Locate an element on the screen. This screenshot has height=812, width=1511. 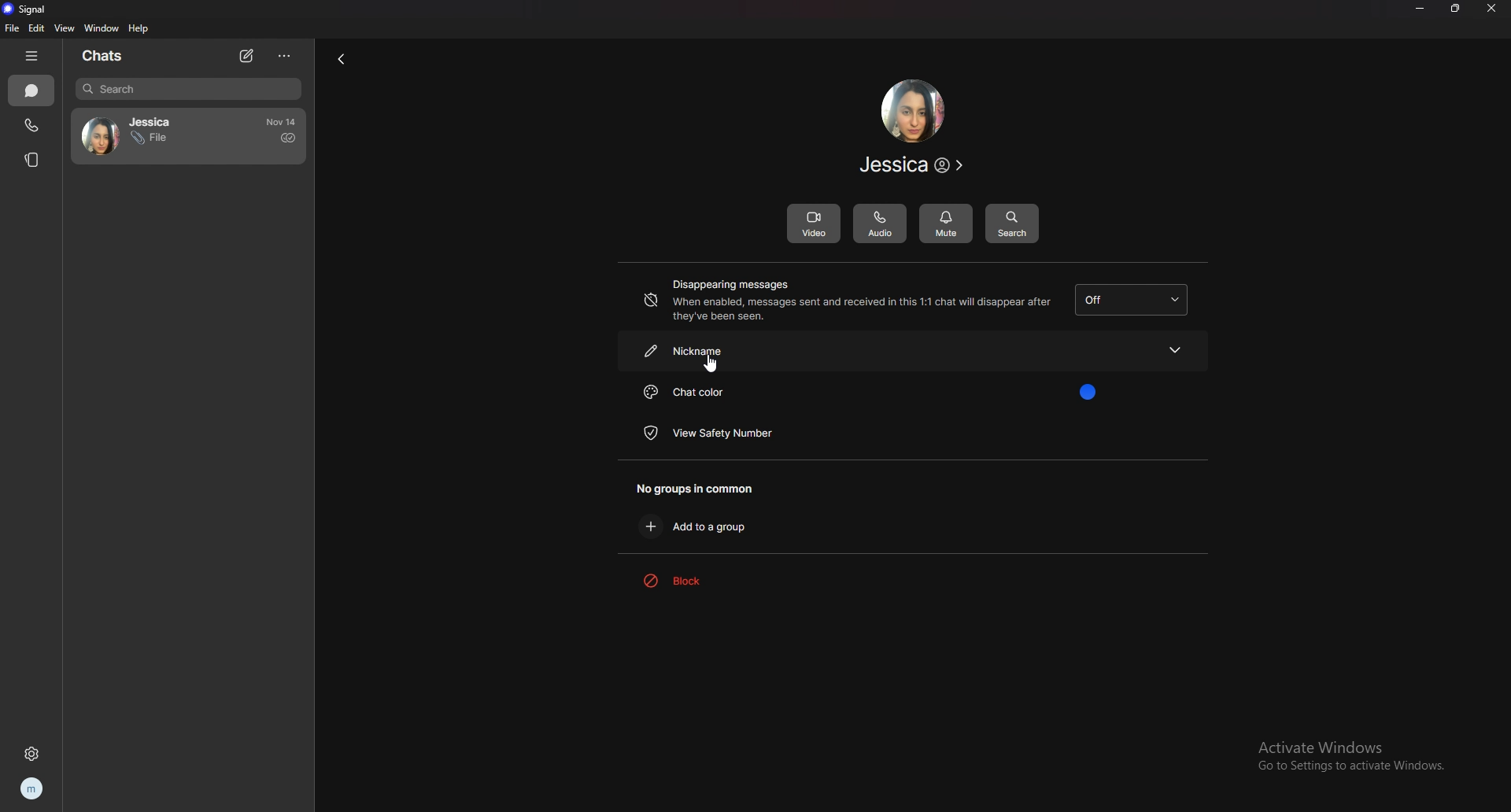
dissapearing message is located at coordinates (1134, 300).